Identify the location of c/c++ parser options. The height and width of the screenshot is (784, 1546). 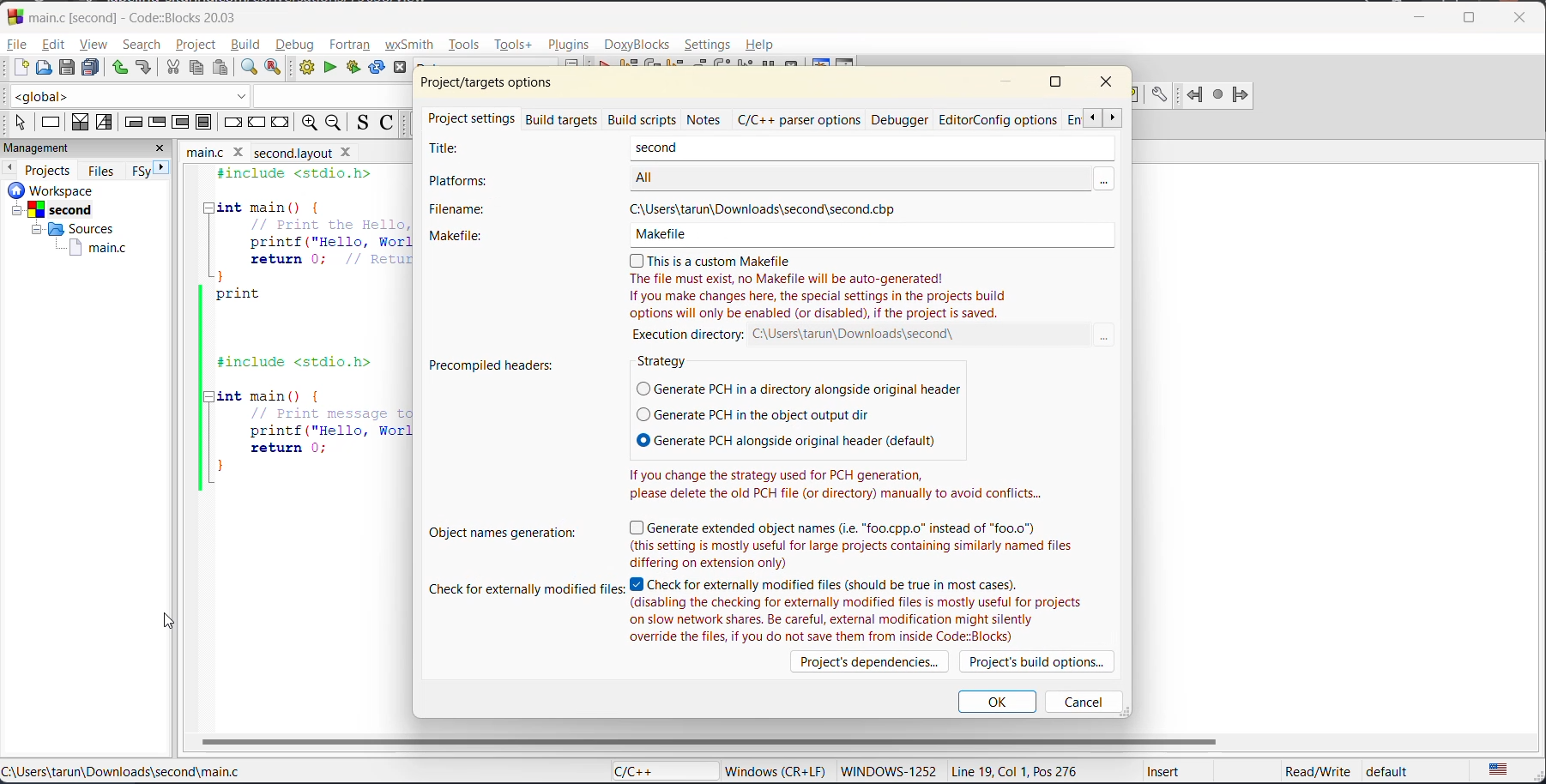
(798, 122).